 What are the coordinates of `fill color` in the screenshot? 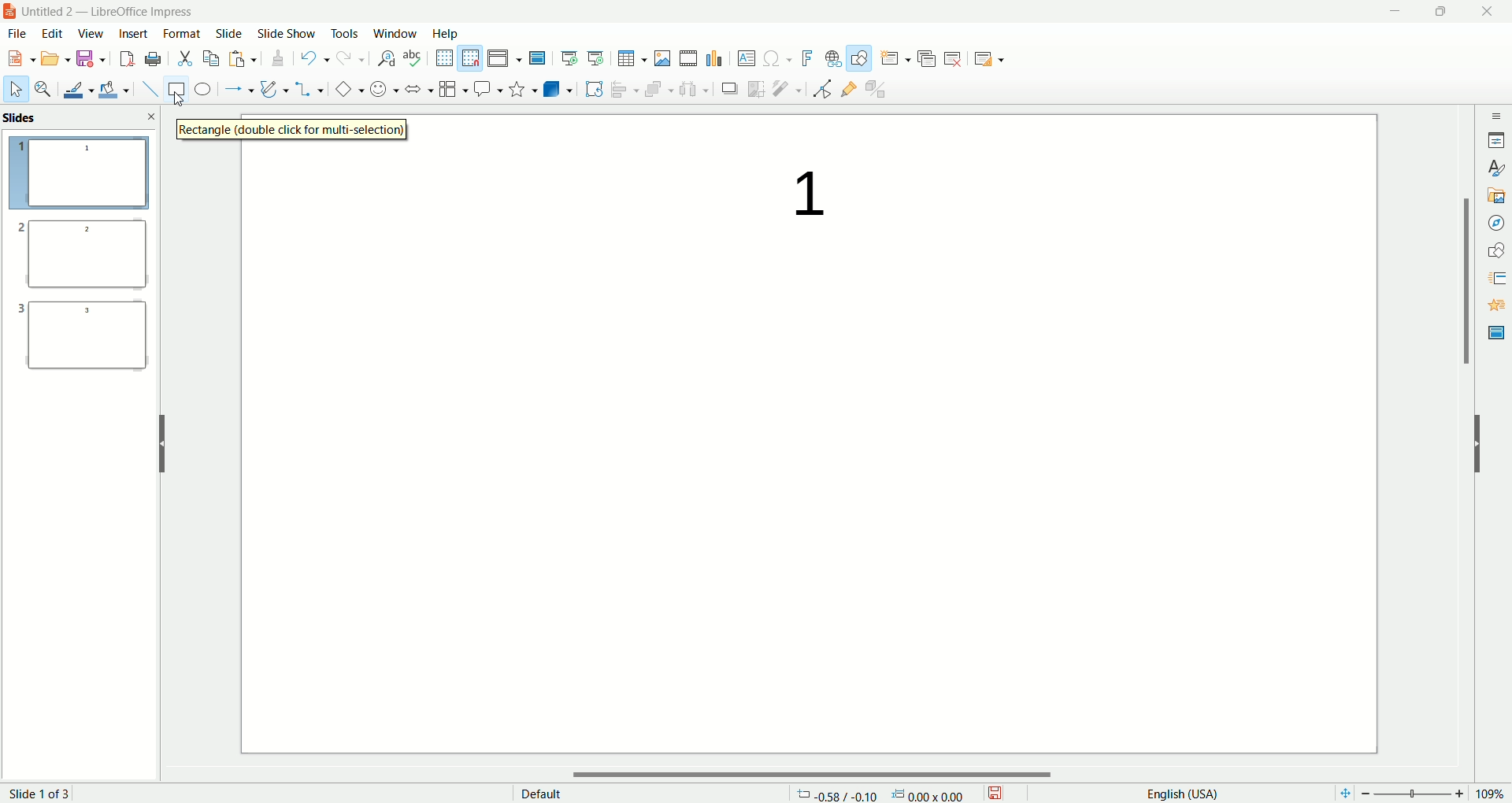 It's located at (113, 89).